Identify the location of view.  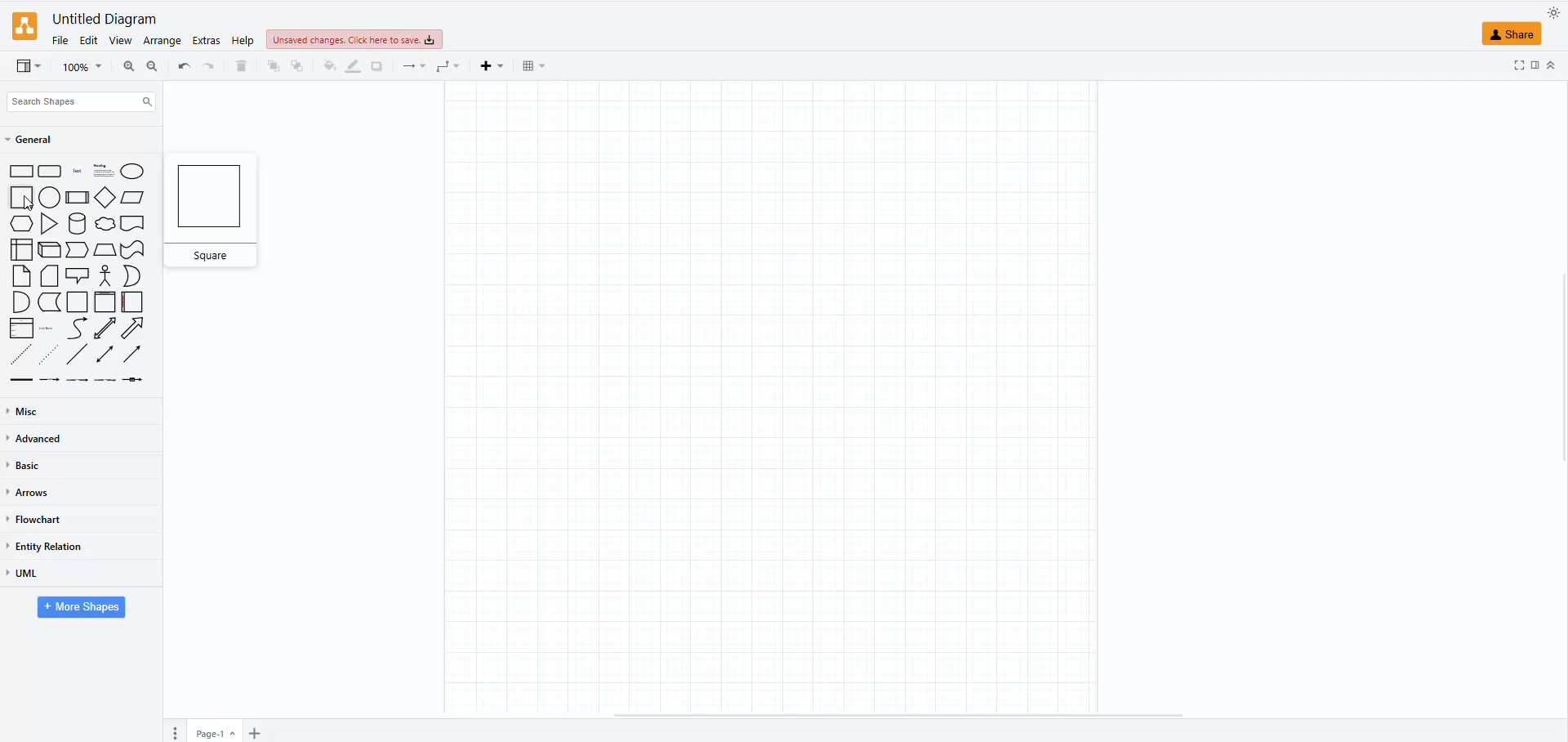
(29, 66).